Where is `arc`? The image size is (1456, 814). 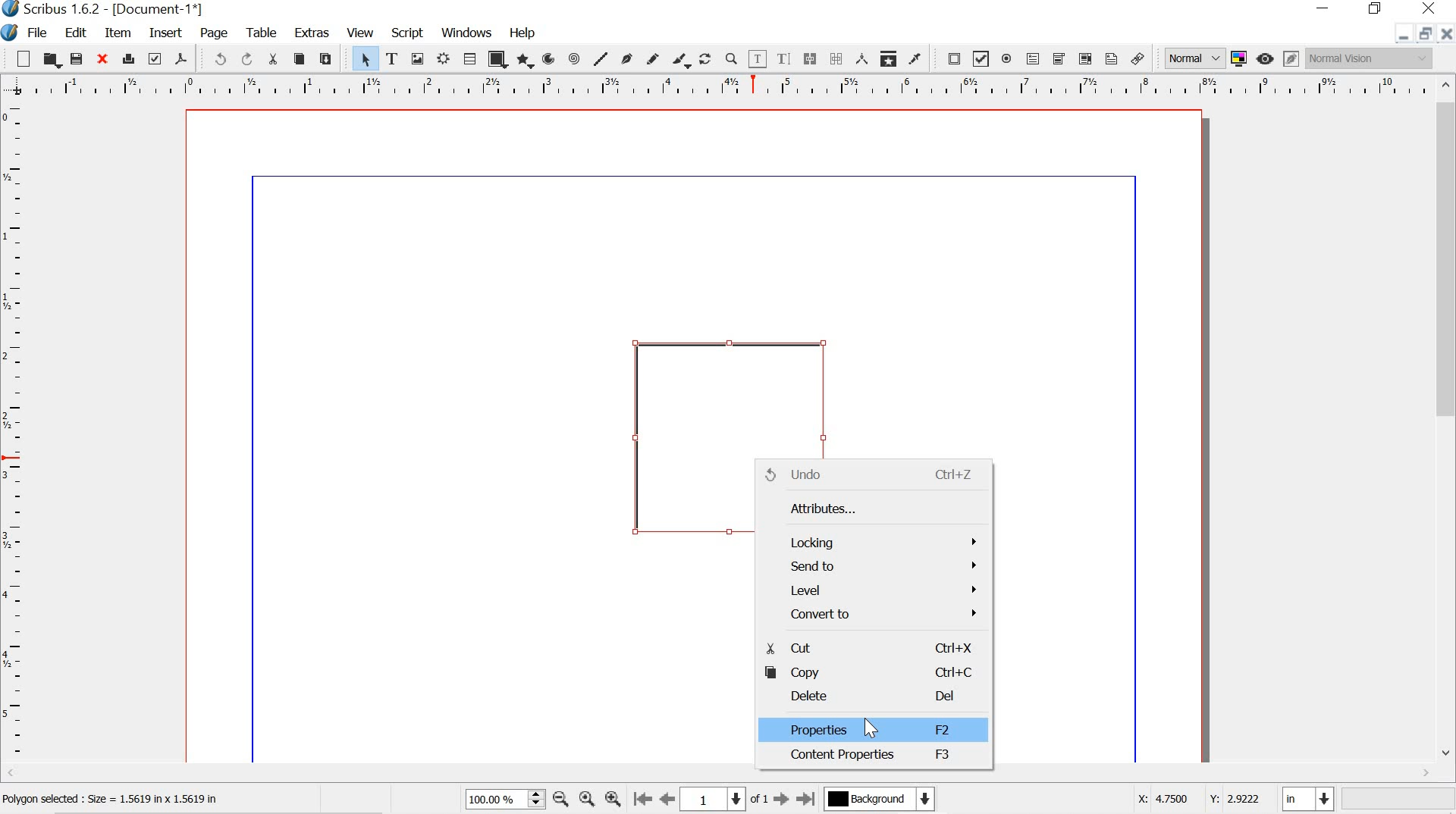 arc is located at coordinates (550, 58).